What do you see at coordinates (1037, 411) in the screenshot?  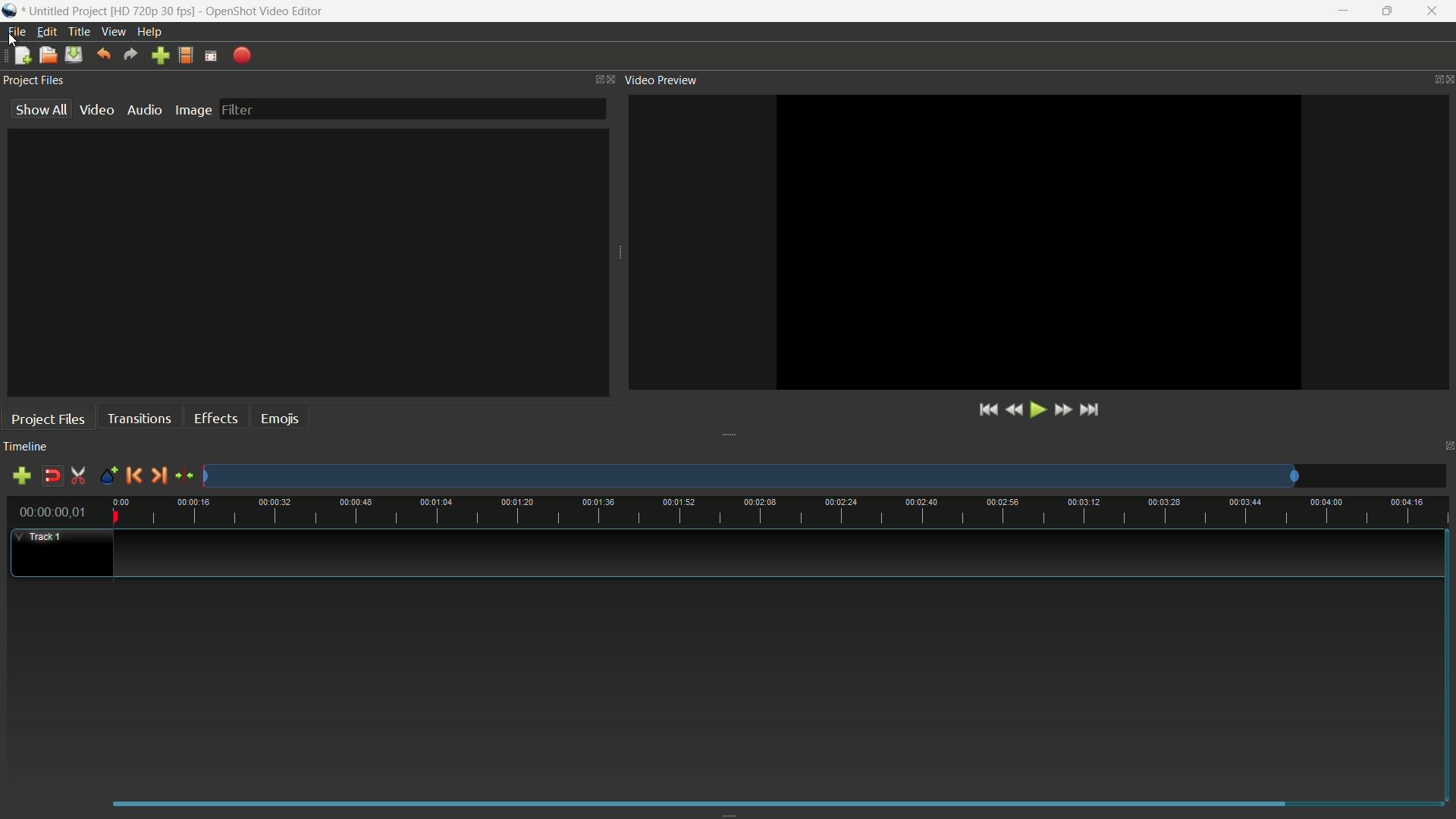 I see `play or pause` at bounding box center [1037, 411].